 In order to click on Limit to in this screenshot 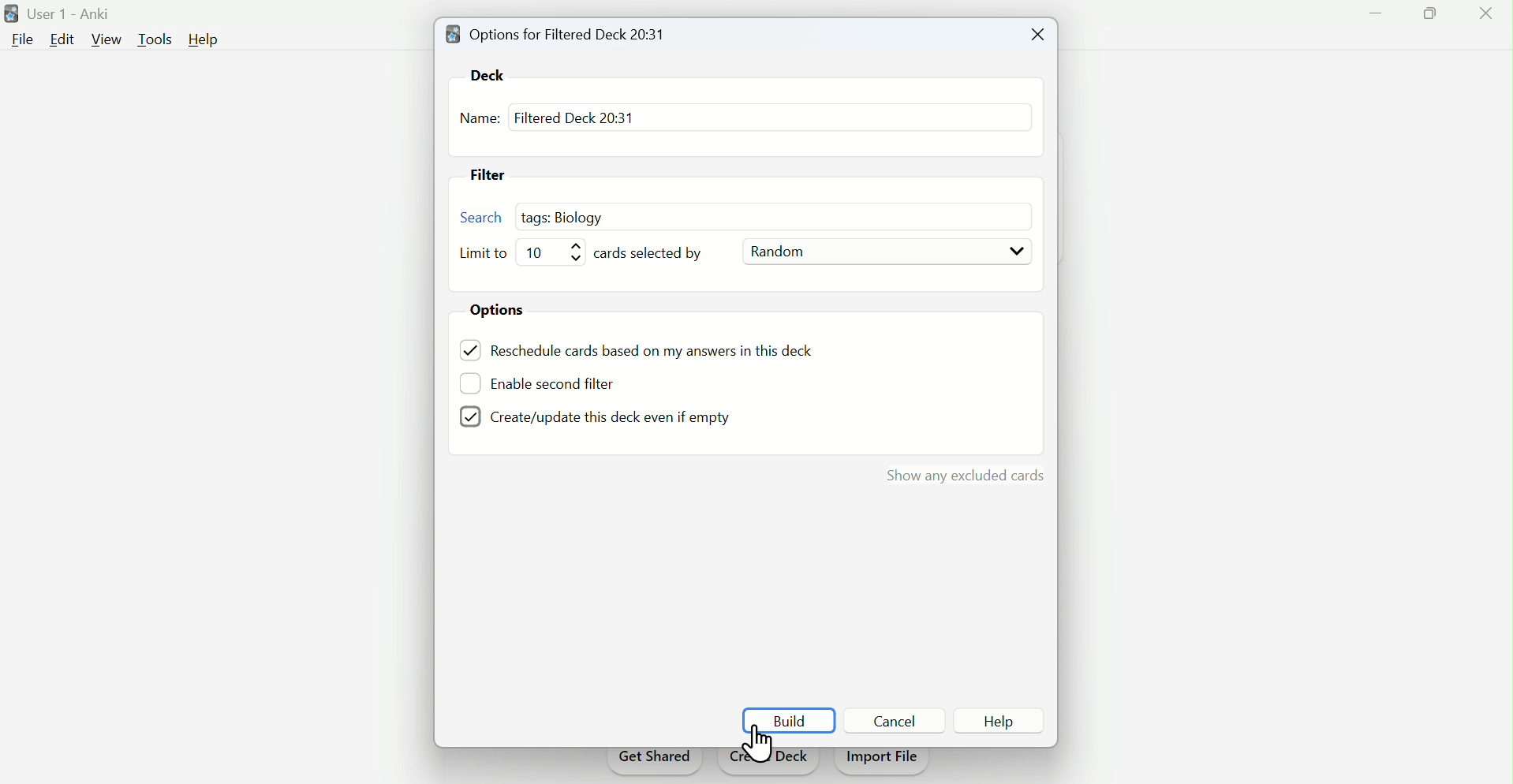, I will do `click(486, 254)`.